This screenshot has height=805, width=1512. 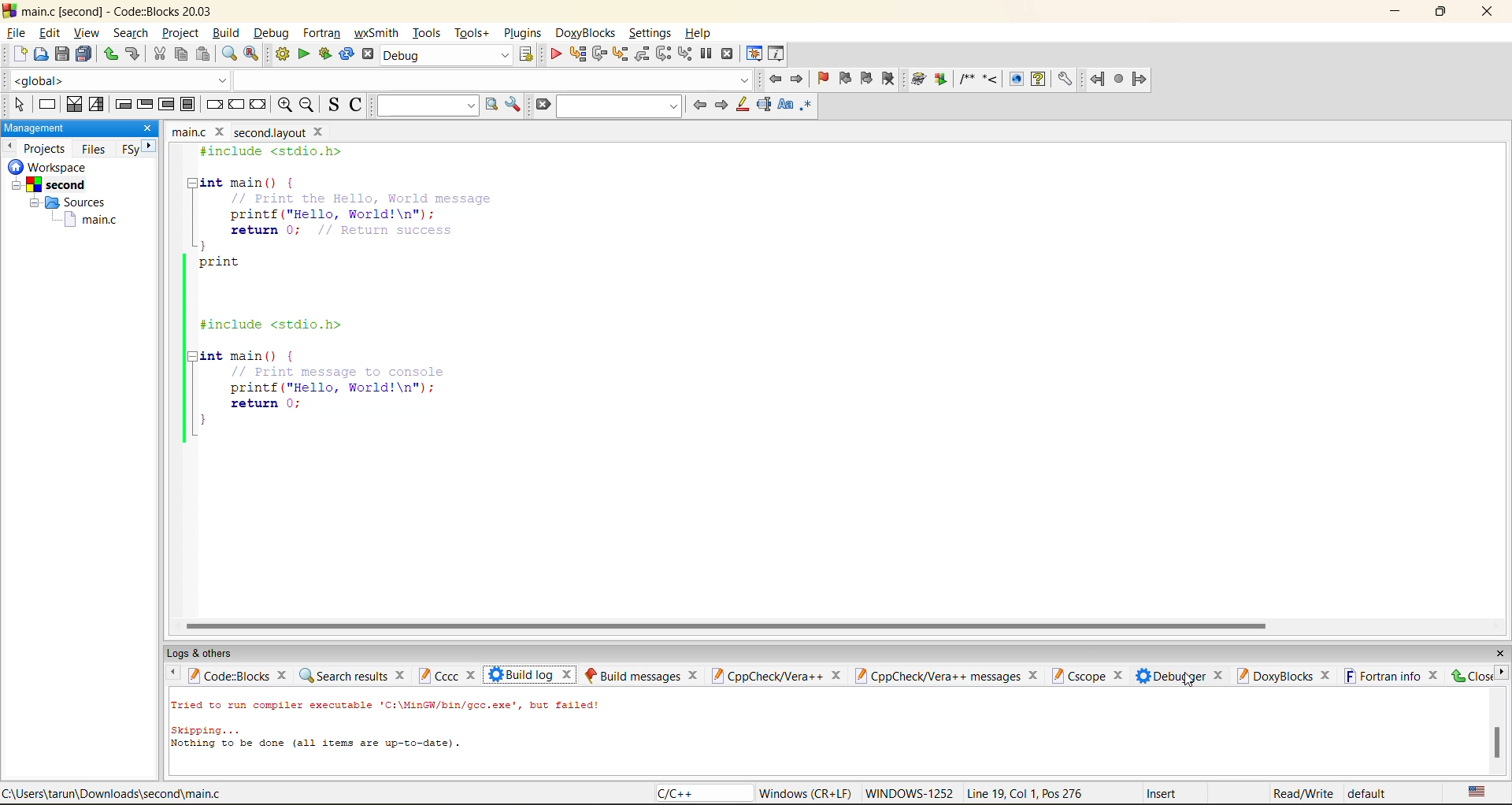 What do you see at coordinates (204, 54) in the screenshot?
I see `paste` at bounding box center [204, 54].